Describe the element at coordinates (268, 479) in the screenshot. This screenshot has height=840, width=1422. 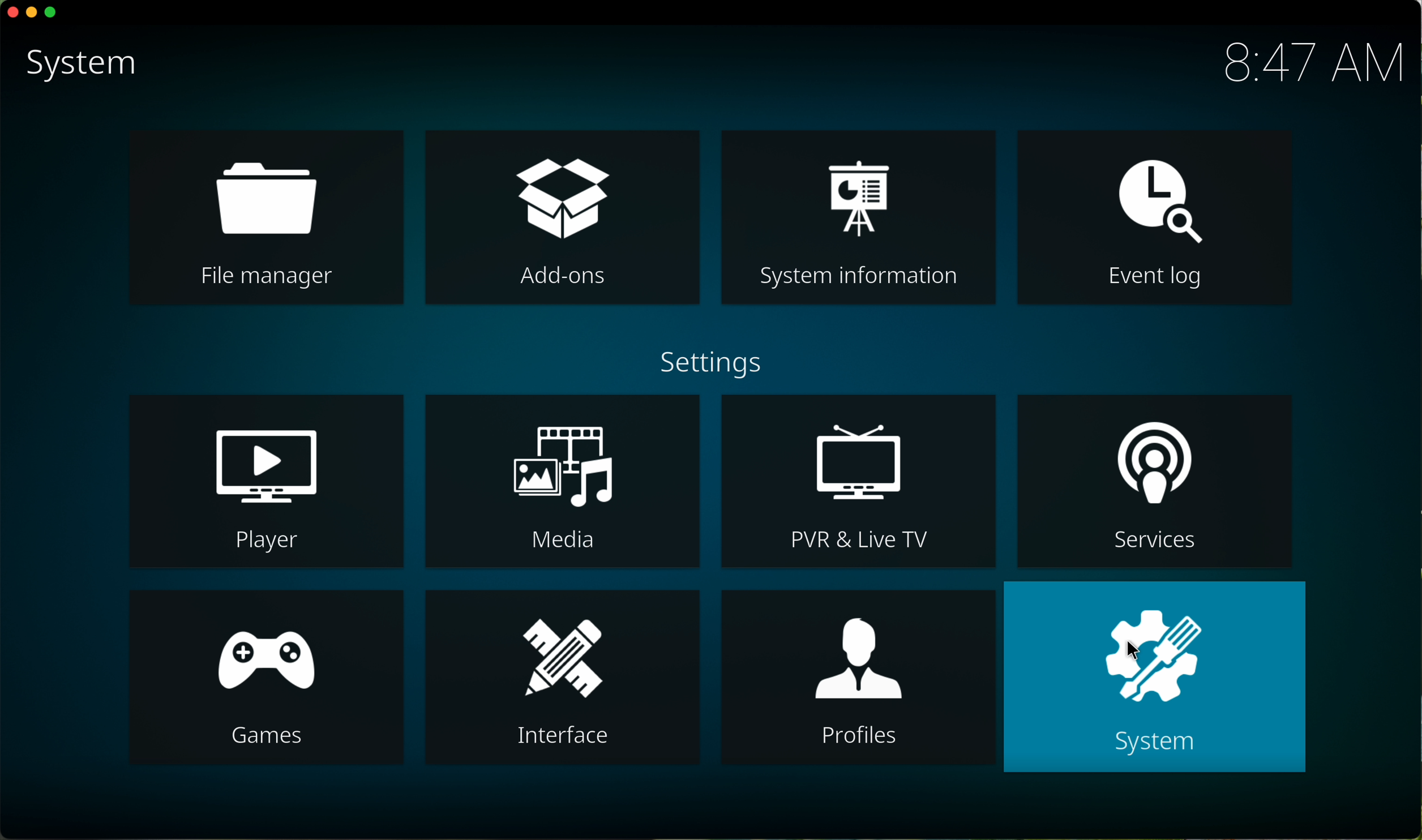
I see `player` at that location.